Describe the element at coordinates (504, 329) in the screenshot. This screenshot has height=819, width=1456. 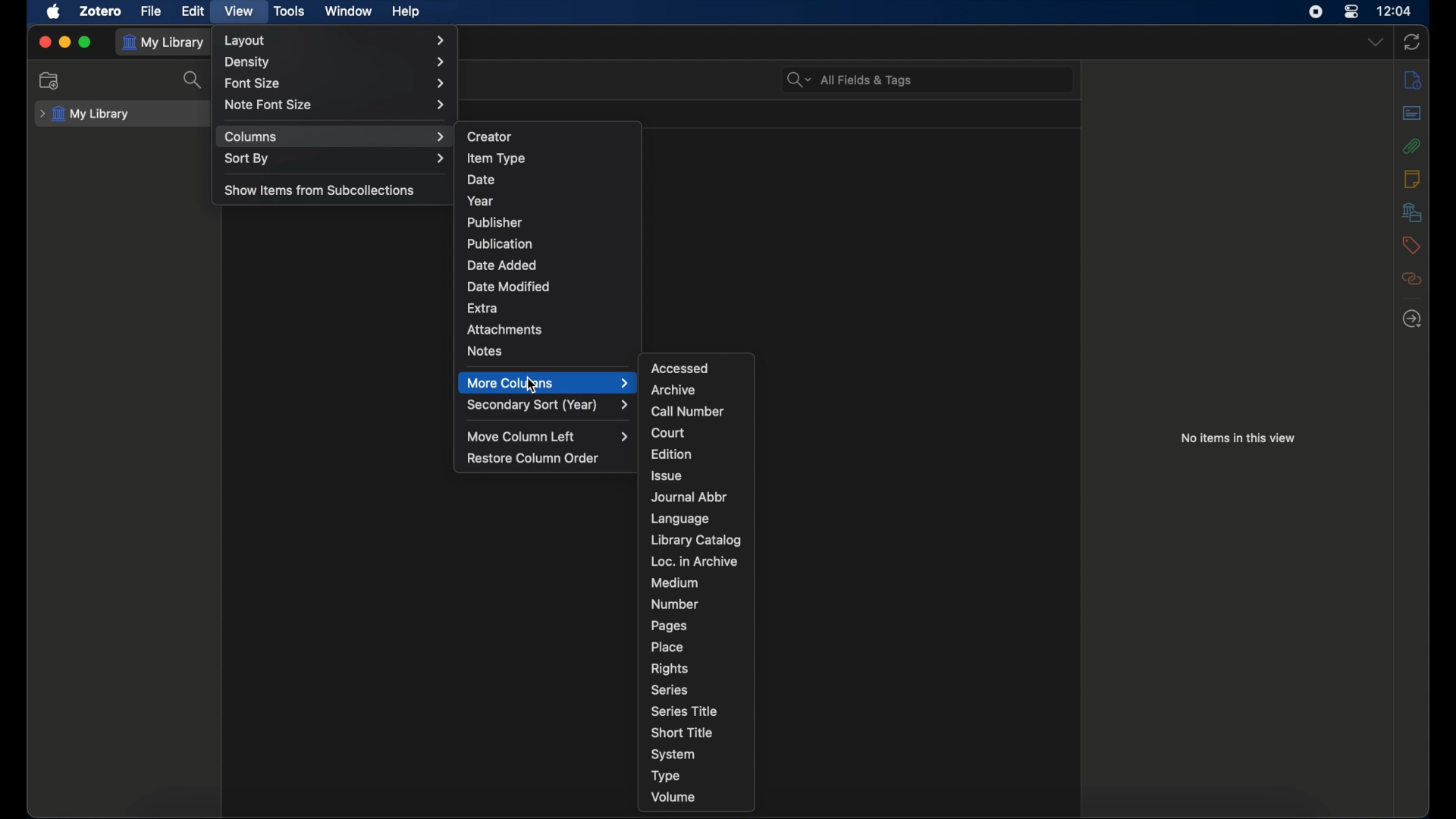
I see `attachments` at that location.